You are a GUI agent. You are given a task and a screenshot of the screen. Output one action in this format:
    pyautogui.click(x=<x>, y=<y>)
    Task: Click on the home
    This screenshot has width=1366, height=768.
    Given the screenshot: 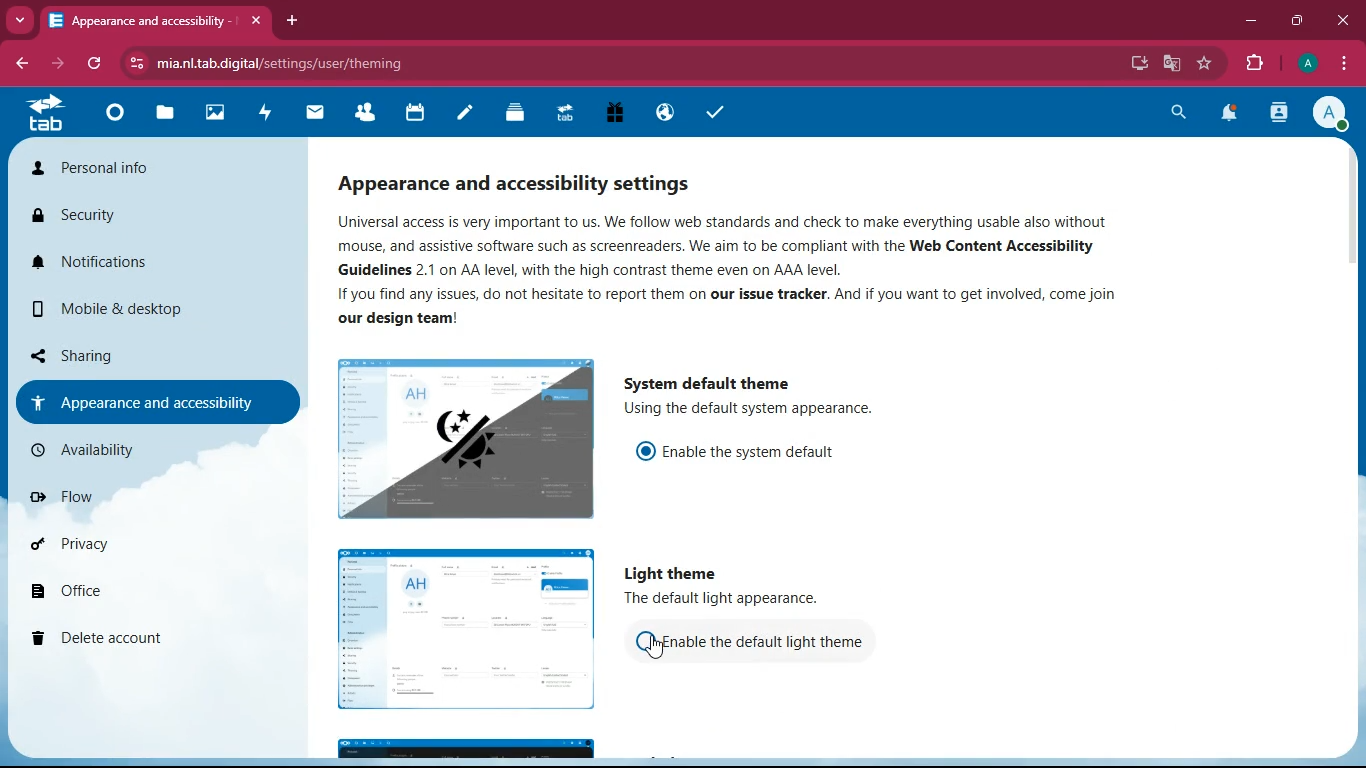 What is the action you would take?
    pyautogui.click(x=114, y=117)
    